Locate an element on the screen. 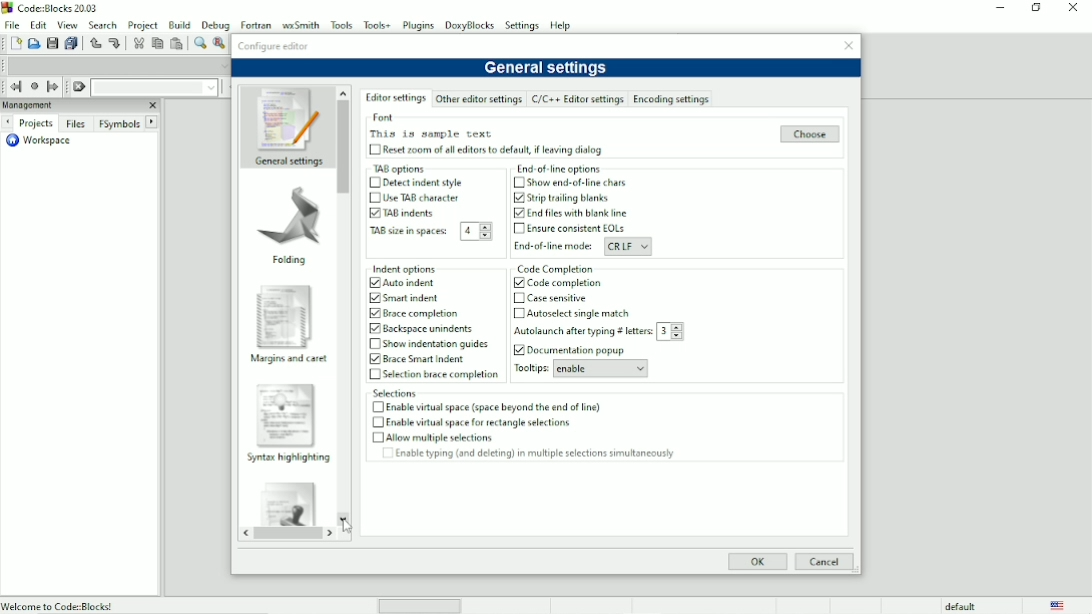  Paste is located at coordinates (176, 43).